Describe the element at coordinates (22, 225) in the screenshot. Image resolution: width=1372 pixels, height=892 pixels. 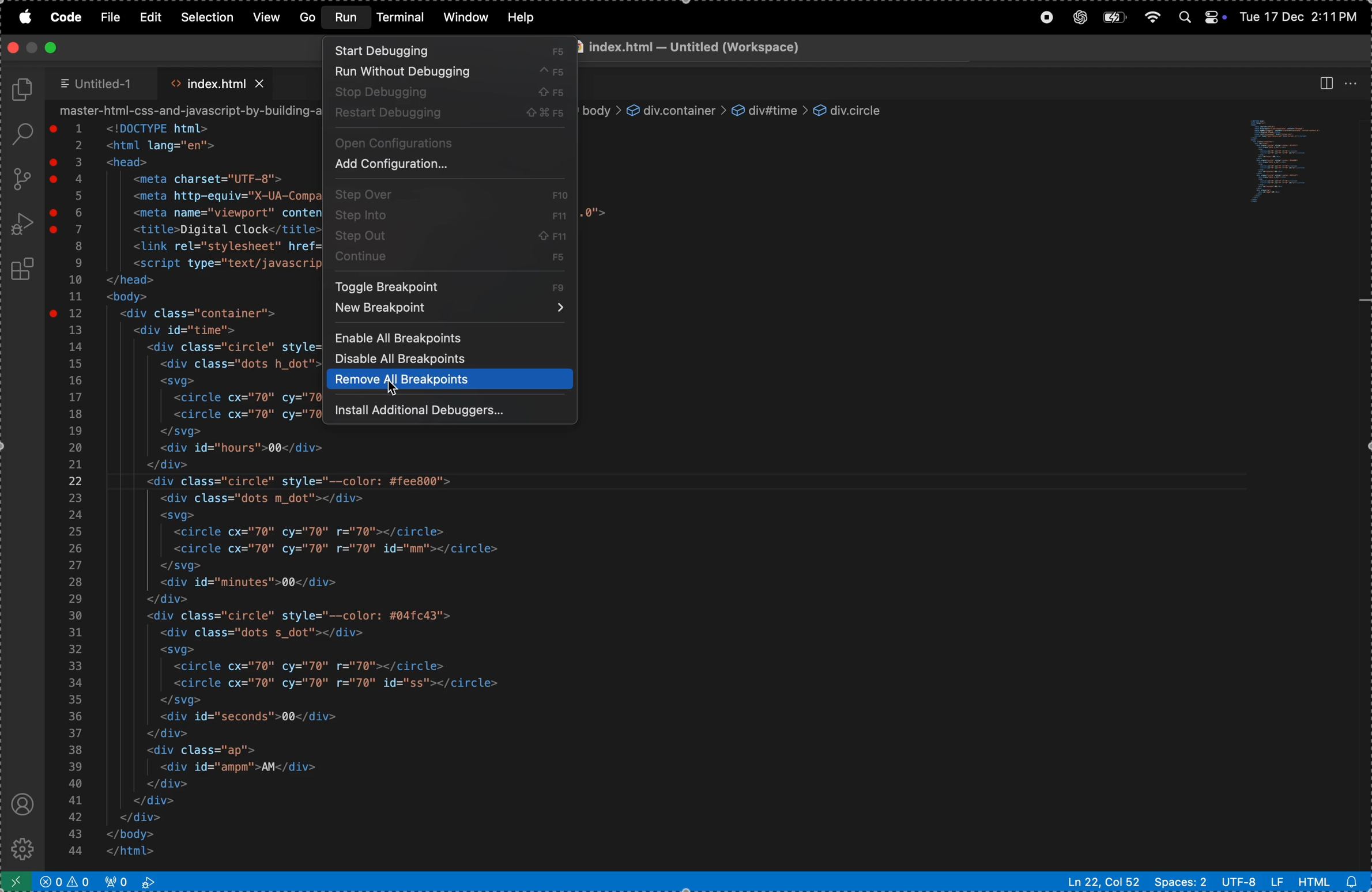
I see `run debug` at that location.